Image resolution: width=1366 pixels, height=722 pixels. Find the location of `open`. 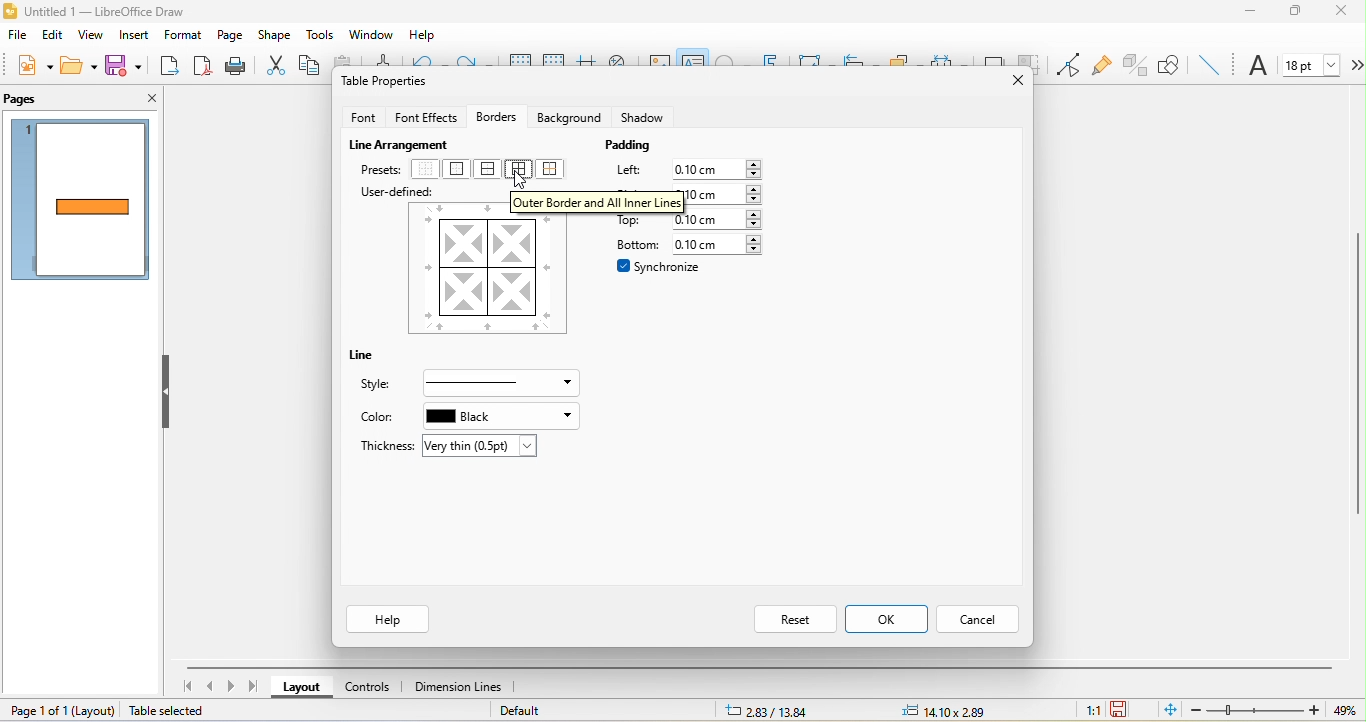

open is located at coordinates (82, 66).